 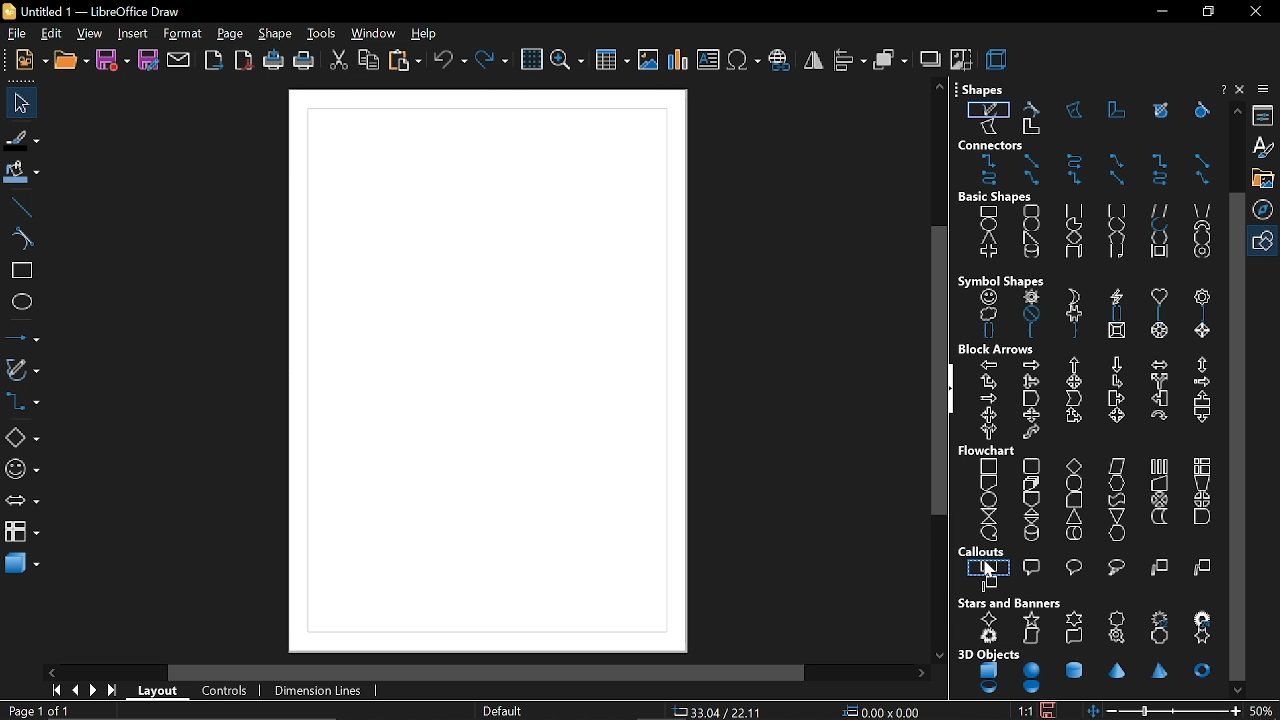 I want to click on insert chart, so click(x=676, y=60).